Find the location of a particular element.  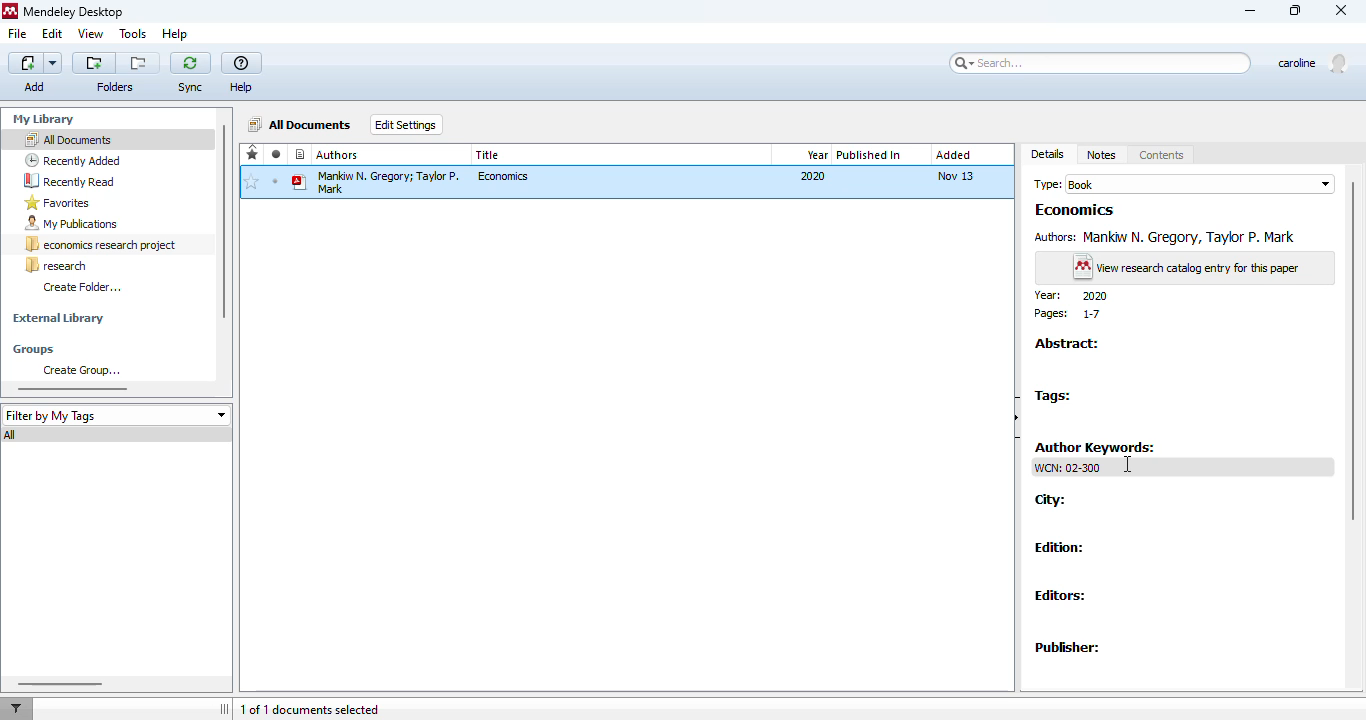

Economics is located at coordinates (1075, 209).